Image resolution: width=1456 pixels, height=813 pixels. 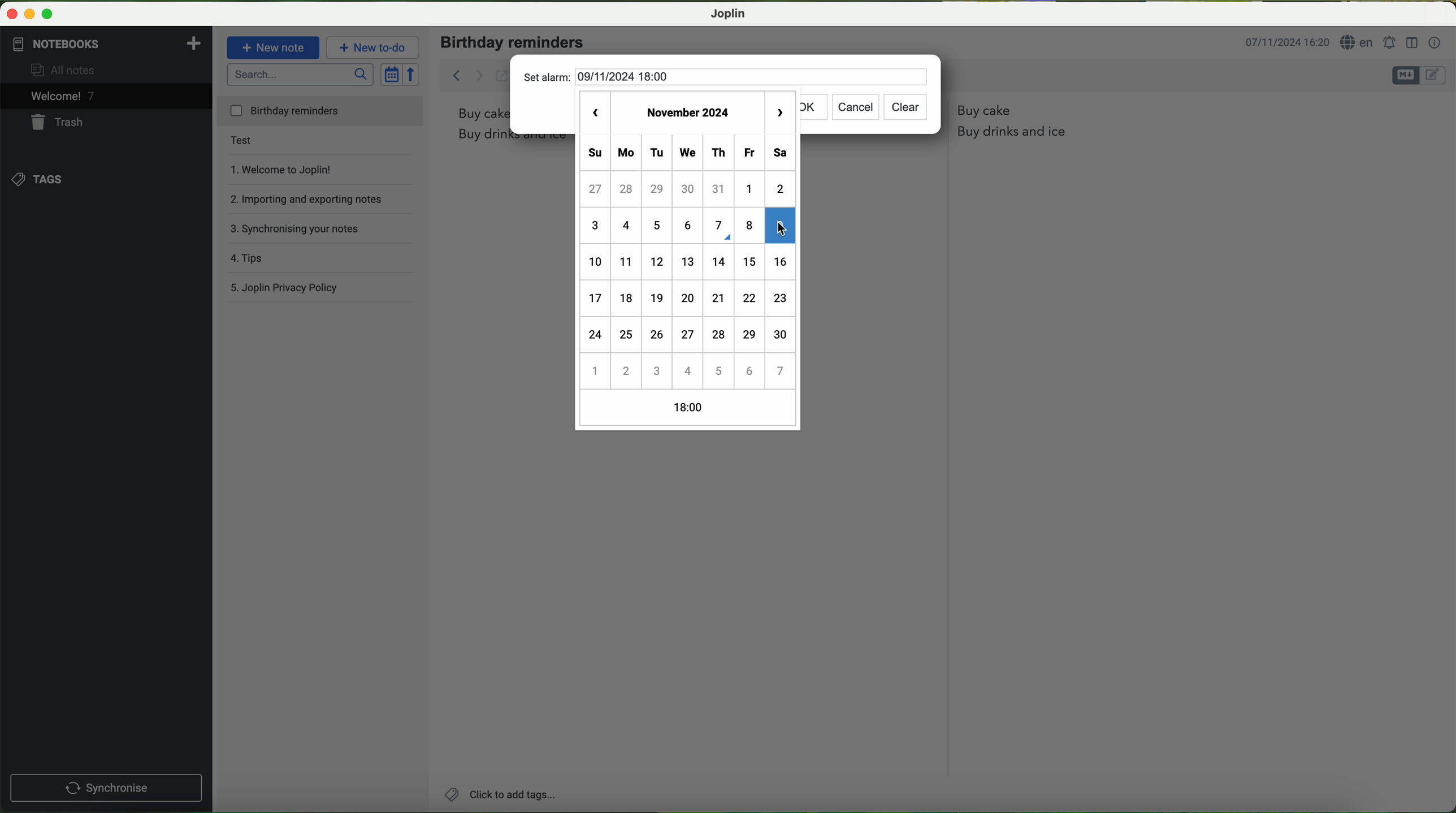 What do you see at coordinates (1288, 42) in the screenshot?
I see `date and hour` at bounding box center [1288, 42].